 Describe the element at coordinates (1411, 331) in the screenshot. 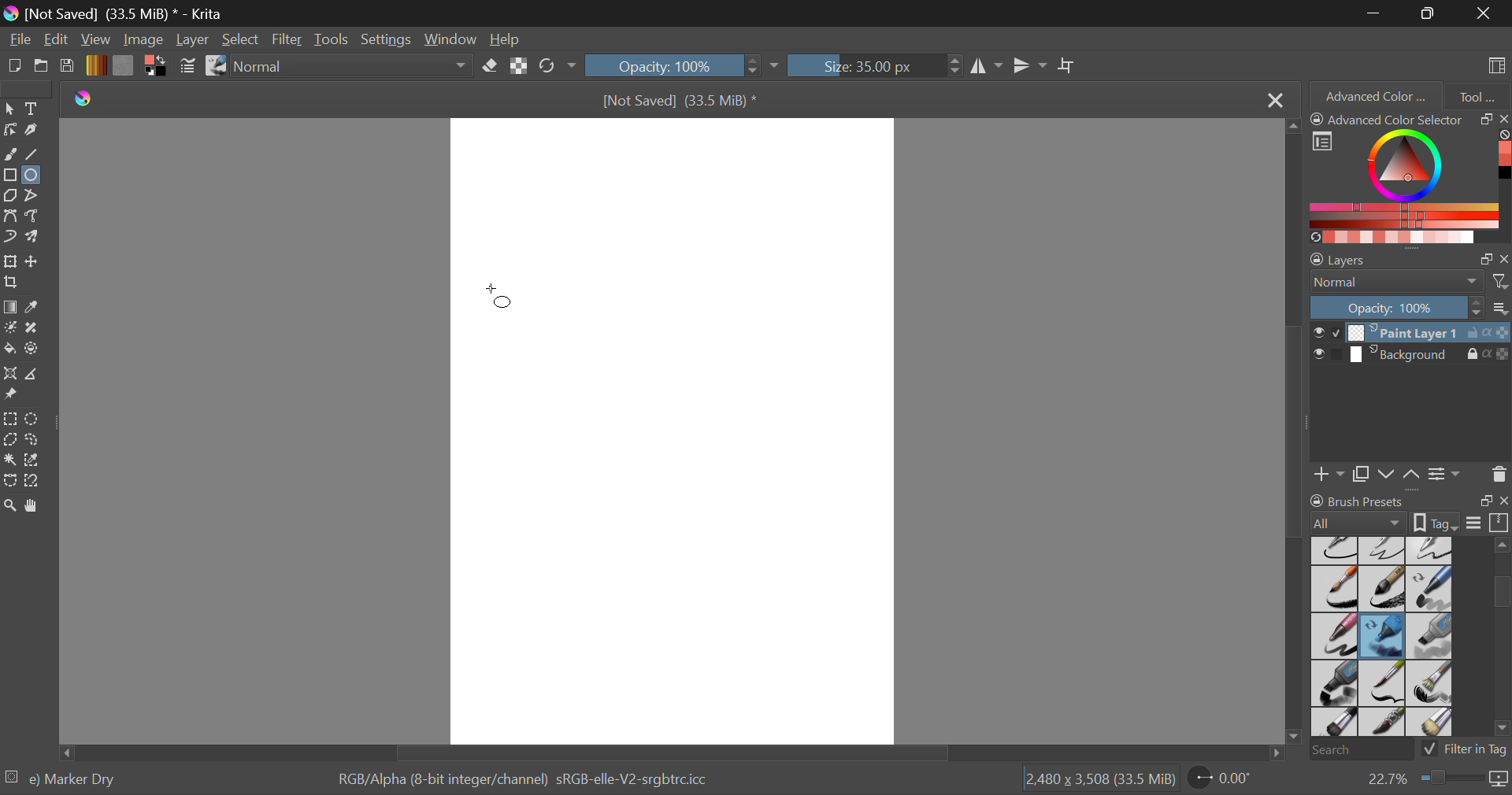

I see `Paint Layer 1` at that location.